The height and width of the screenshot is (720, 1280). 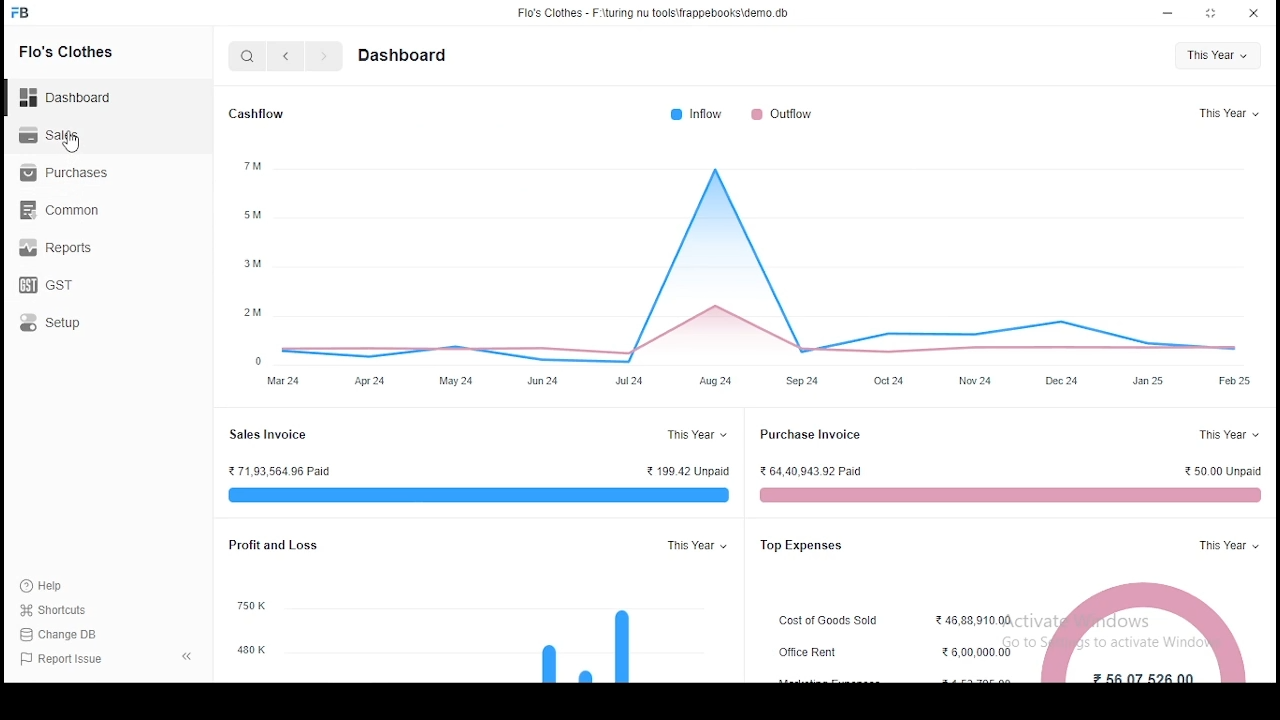 What do you see at coordinates (628, 380) in the screenshot?
I see `jul 24` at bounding box center [628, 380].